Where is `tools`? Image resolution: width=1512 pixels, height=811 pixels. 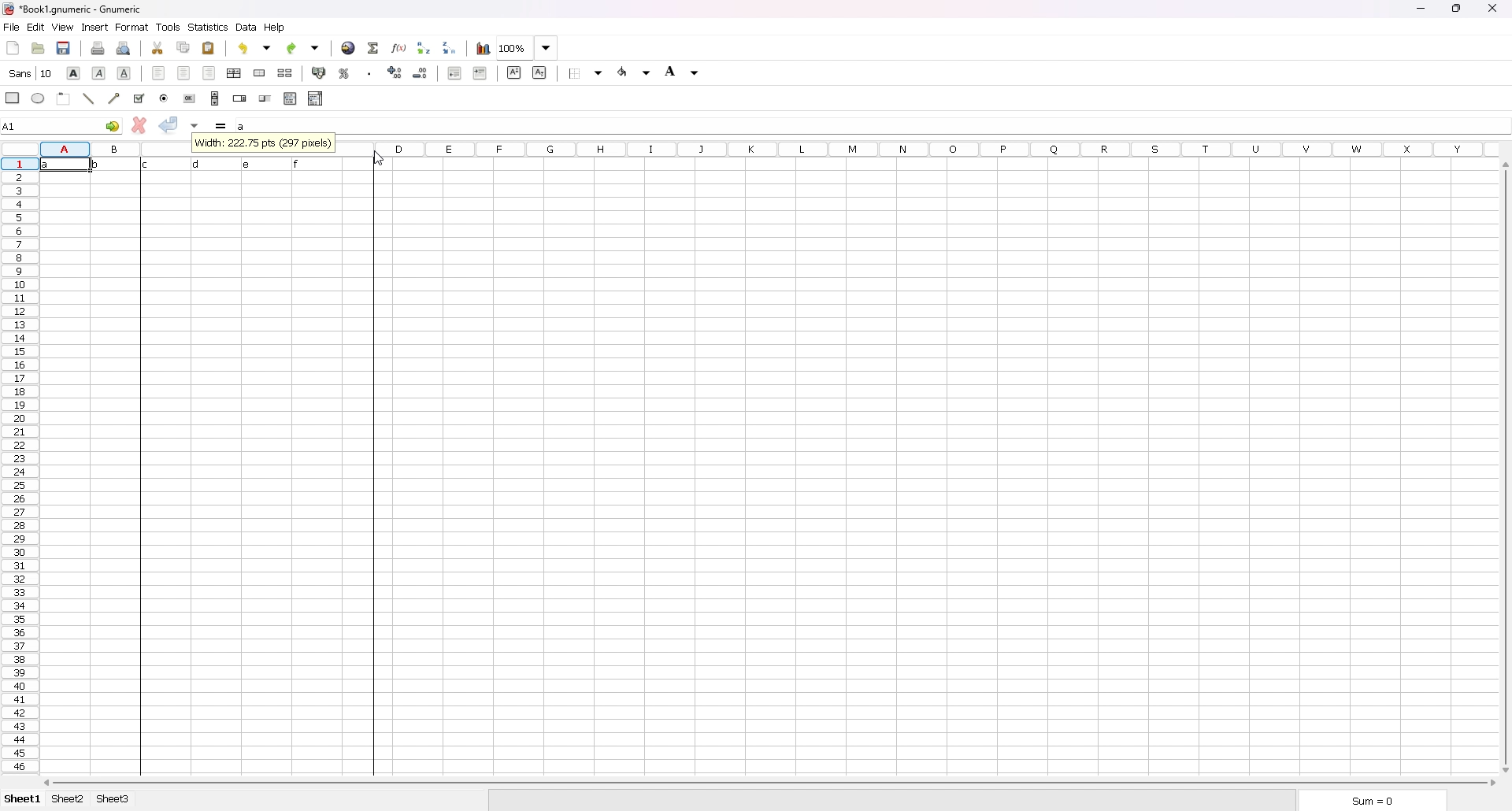
tools is located at coordinates (169, 27).